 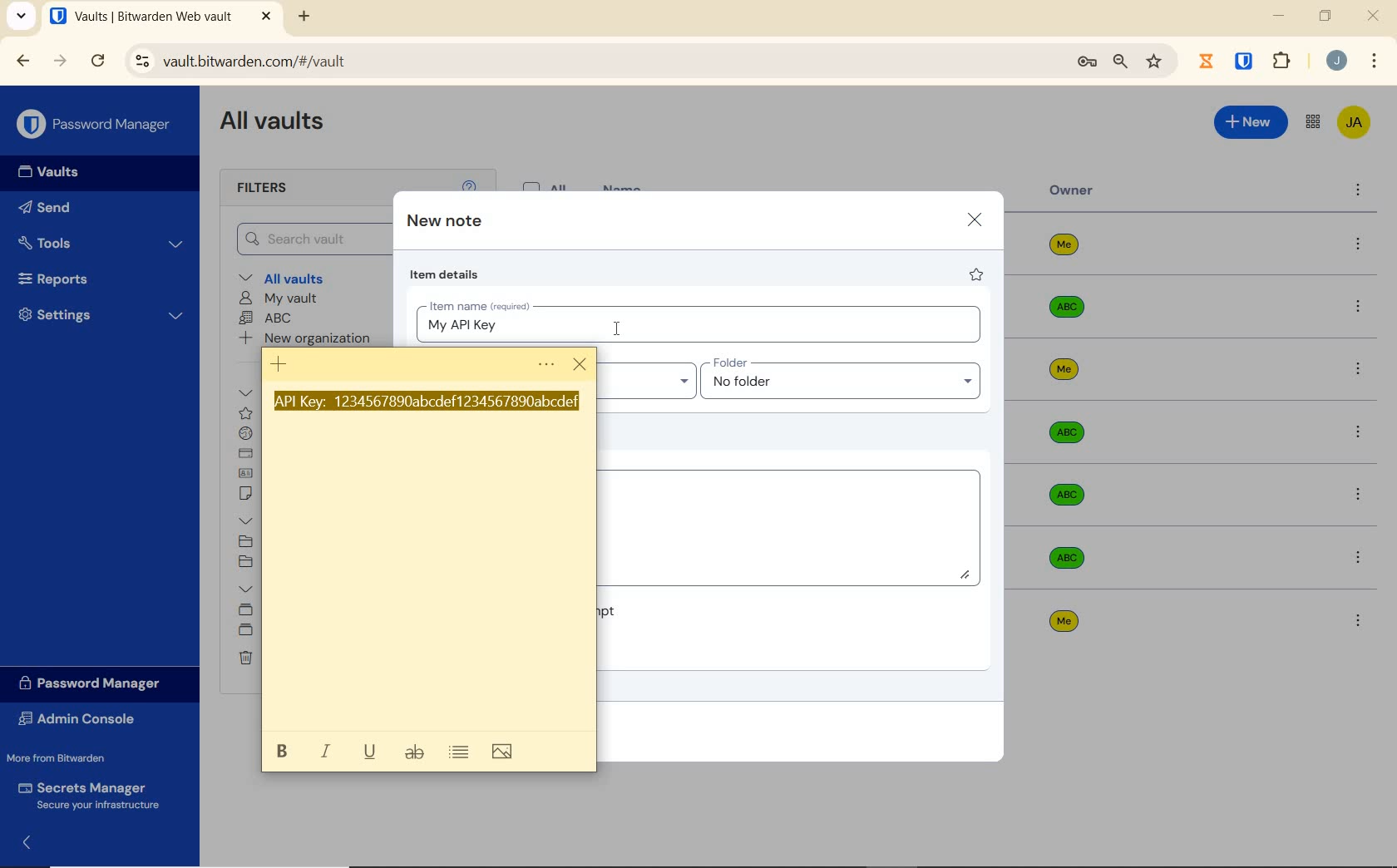 What do you see at coordinates (297, 279) in the screenshot?
I see `All vaults` at bounding box center [297, 279].